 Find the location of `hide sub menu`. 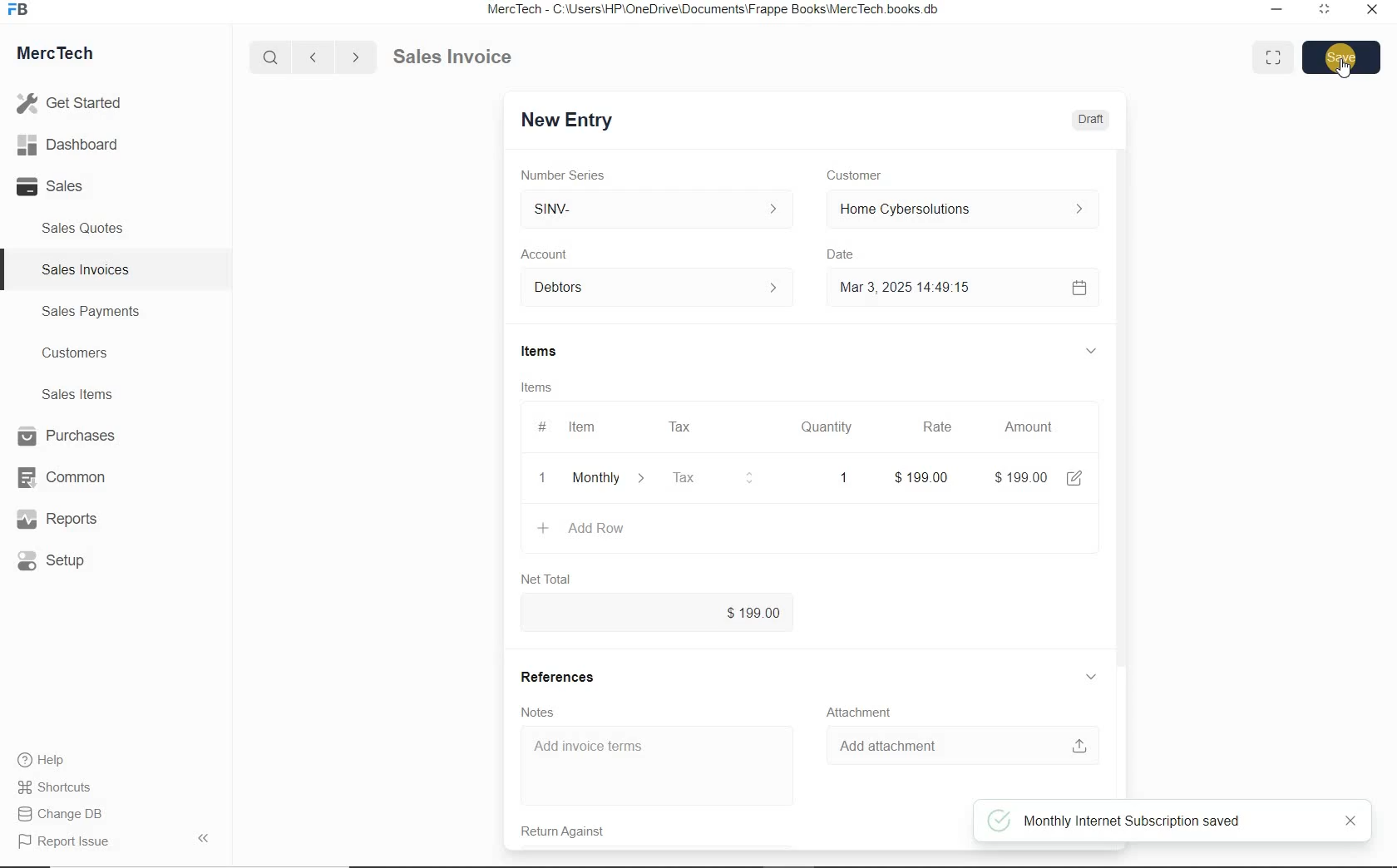

hide sub menu is located at coordinates (1089, 350).